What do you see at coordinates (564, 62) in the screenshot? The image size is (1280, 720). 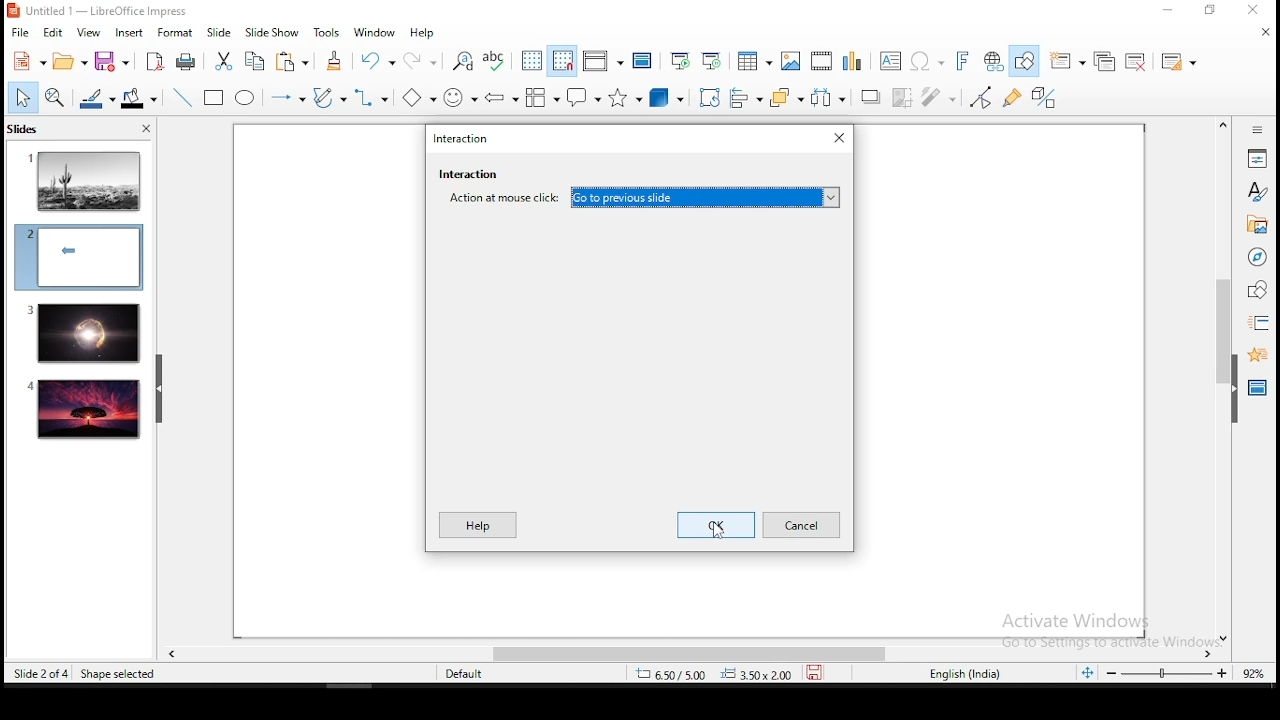 I see `snap to grid` at bounding box center [564, 62].